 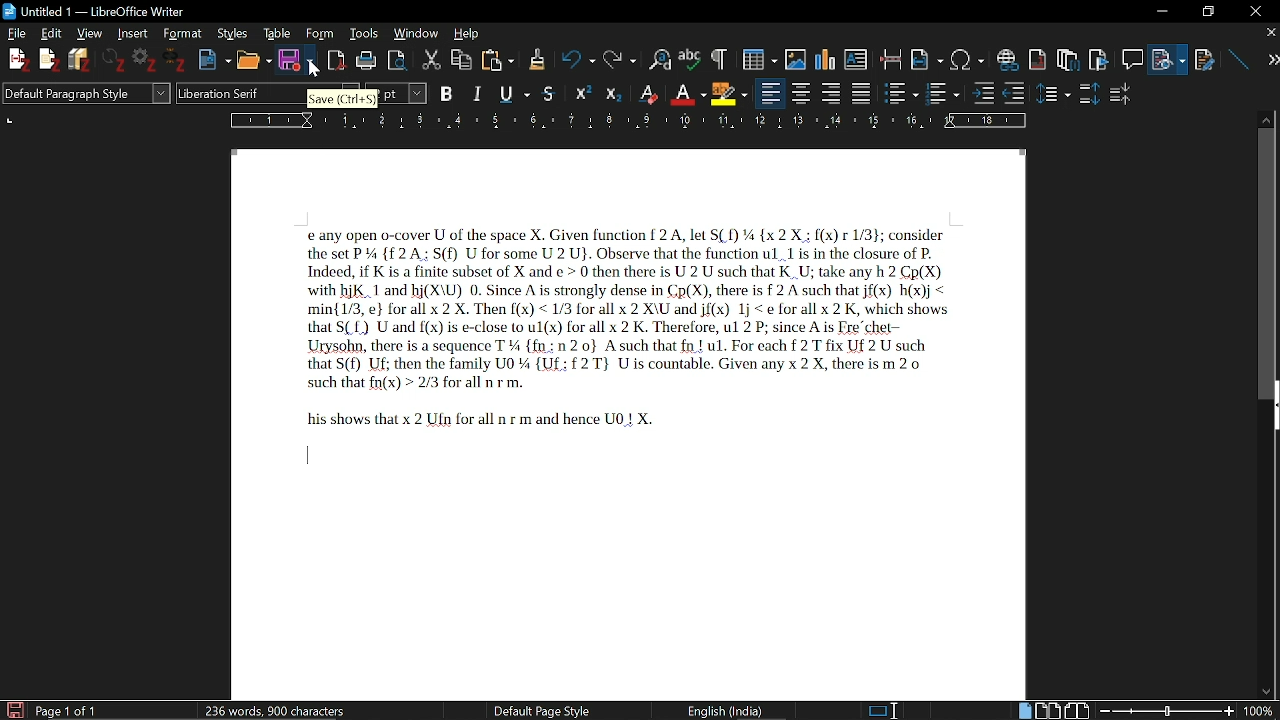 I want to click on Insert comment, so click(x=1131, y=55).